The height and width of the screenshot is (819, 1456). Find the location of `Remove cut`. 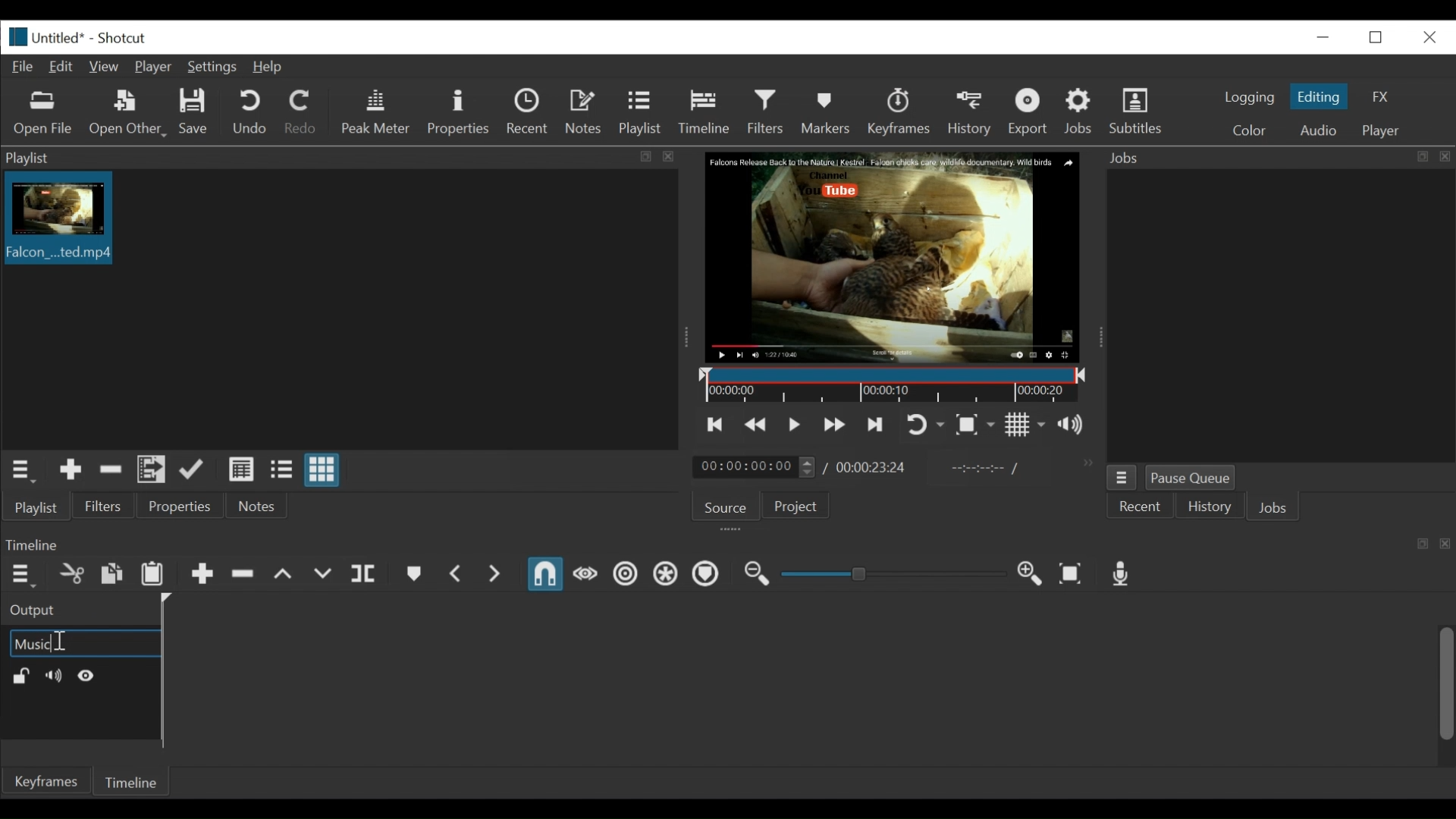

Remove cut is located at coordinates (111, 470).